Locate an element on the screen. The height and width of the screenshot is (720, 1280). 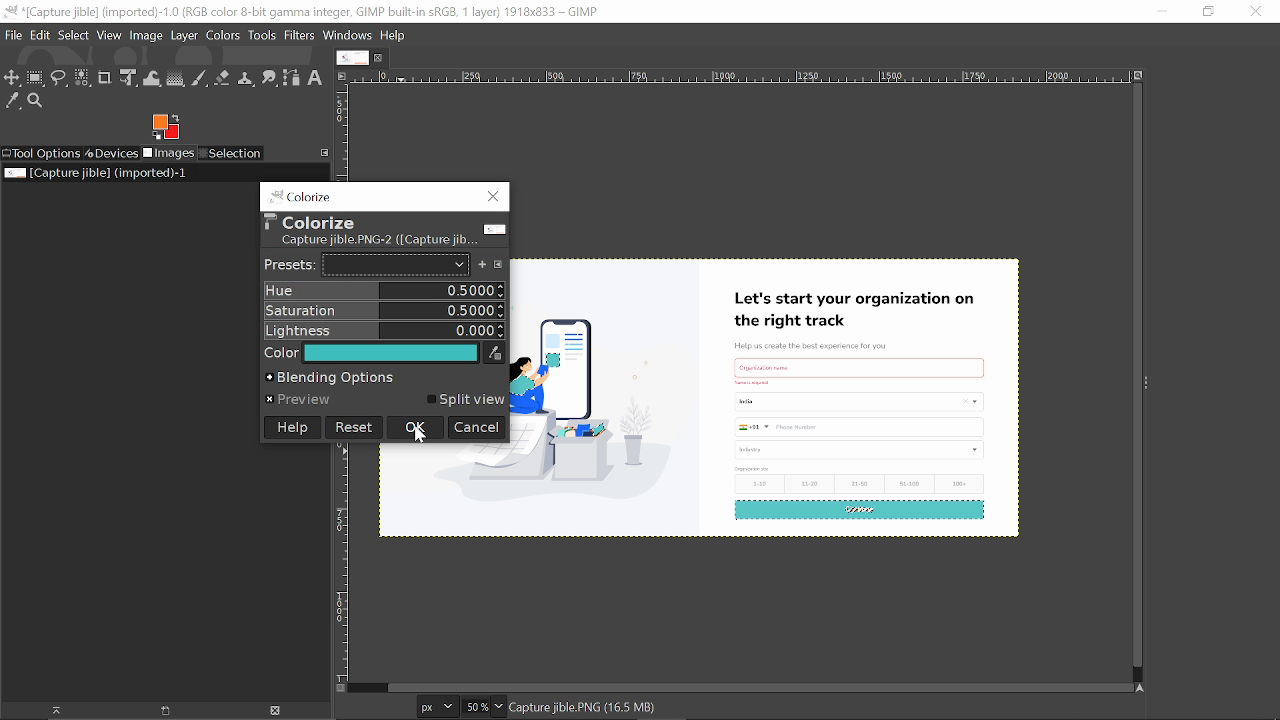
cursor is located at coordinates (424, 441).